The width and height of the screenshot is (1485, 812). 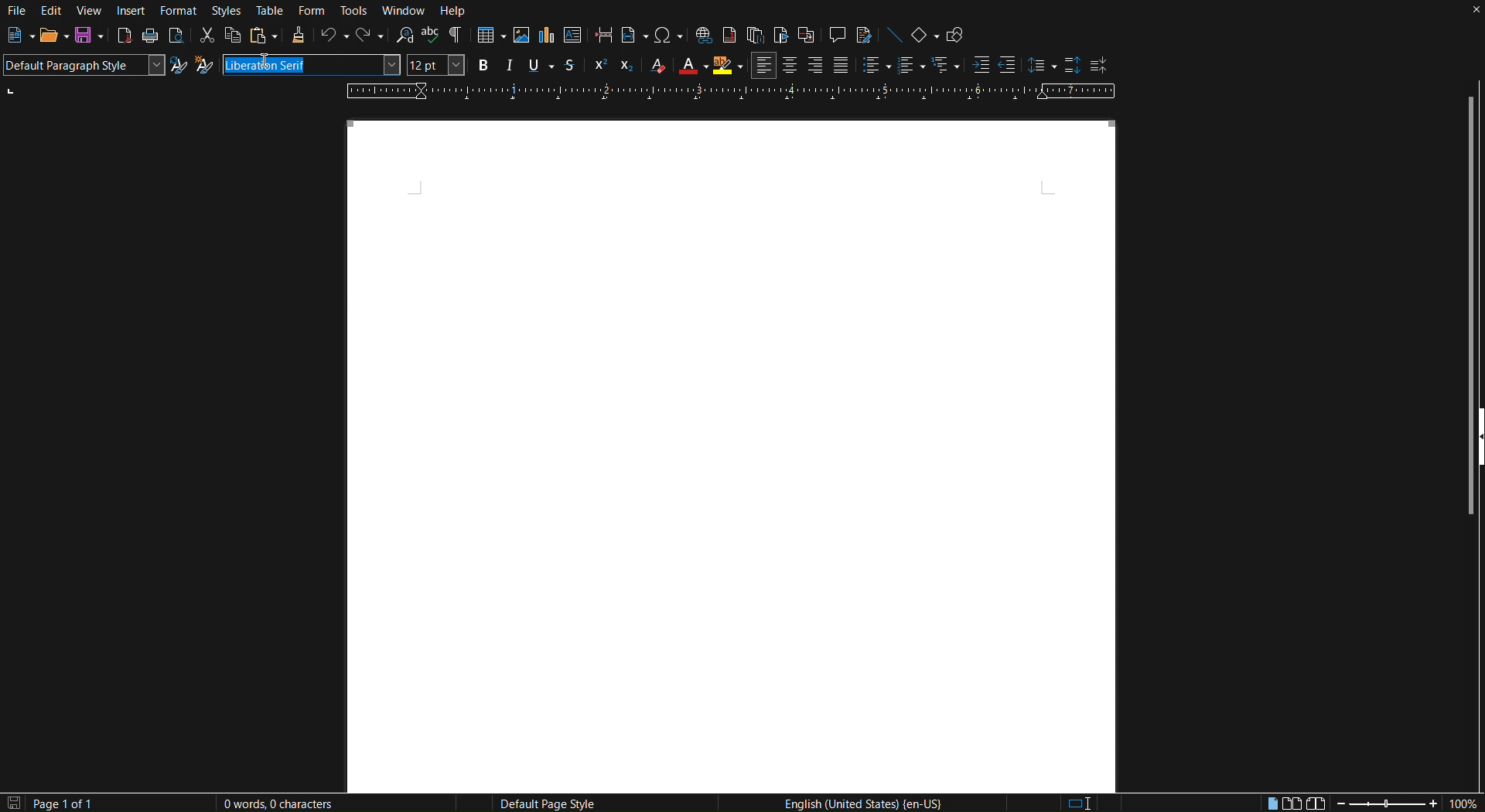 What do you see at coordinates (89, 11) in the screenshot?
I see `View` at bounding box center [89, 11].